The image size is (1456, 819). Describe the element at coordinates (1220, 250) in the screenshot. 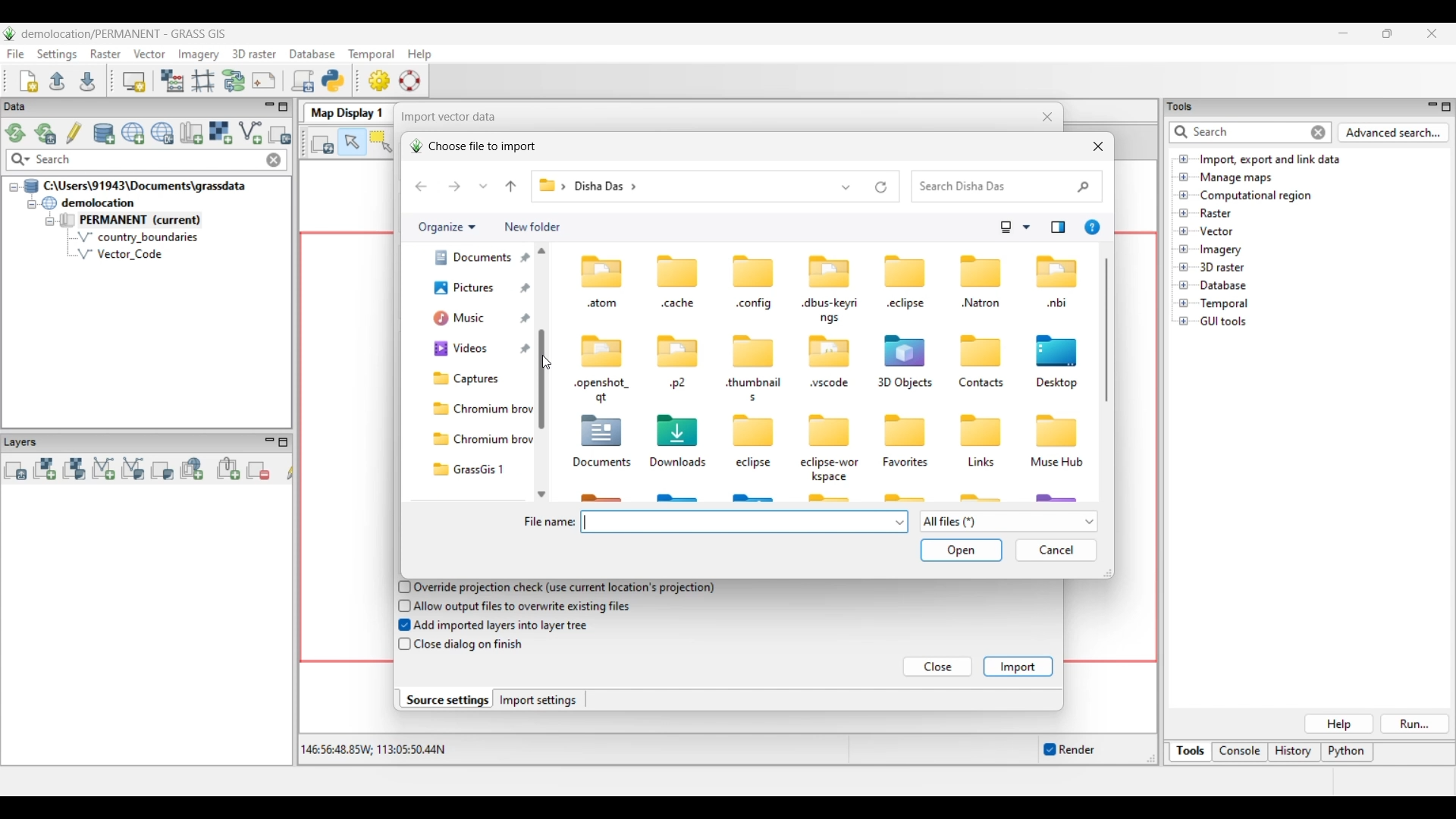

I see `Double click to see files under Imagery` at that location.